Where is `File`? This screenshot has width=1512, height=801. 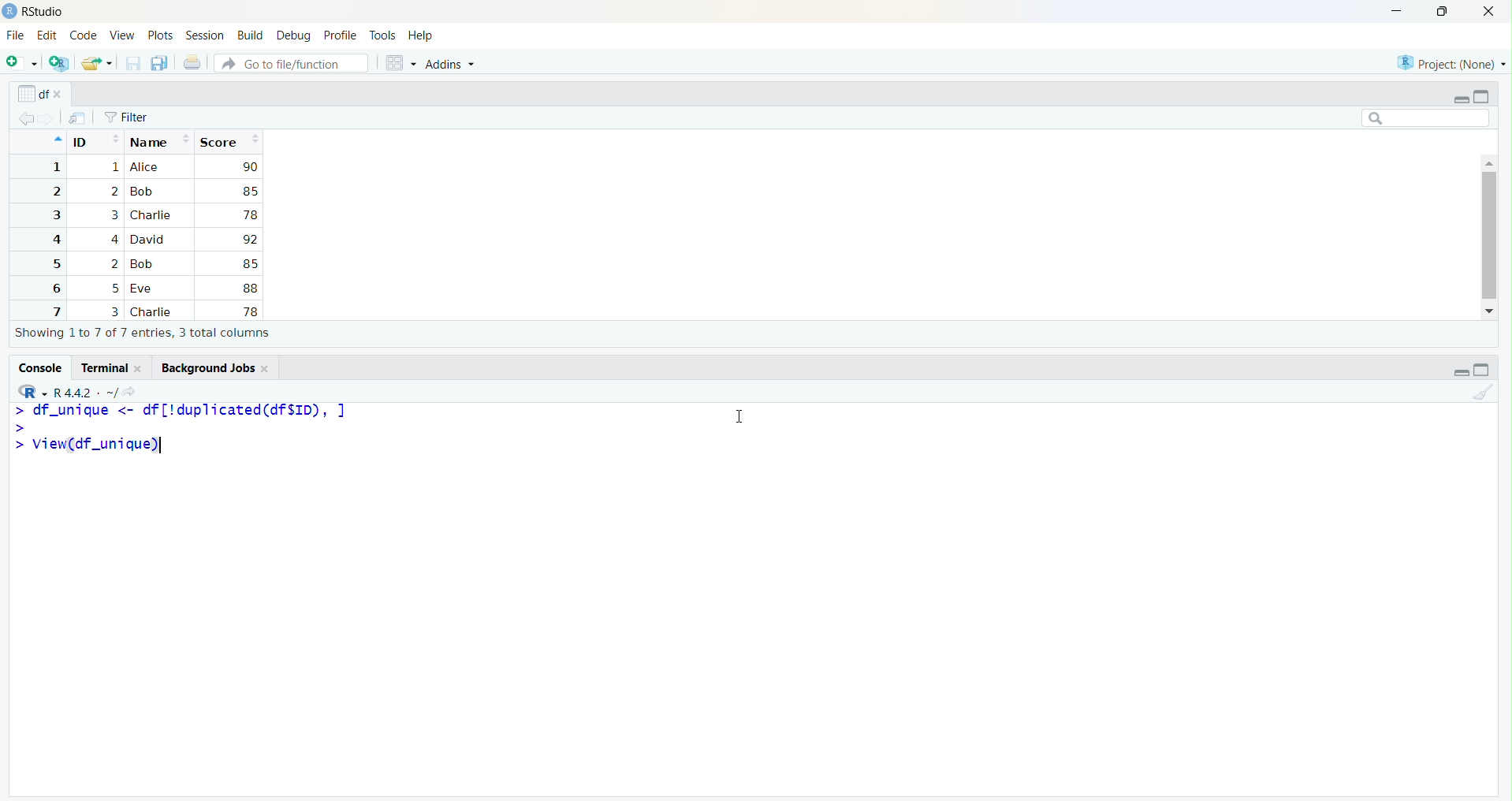 File is located at coordinates (15, 36).